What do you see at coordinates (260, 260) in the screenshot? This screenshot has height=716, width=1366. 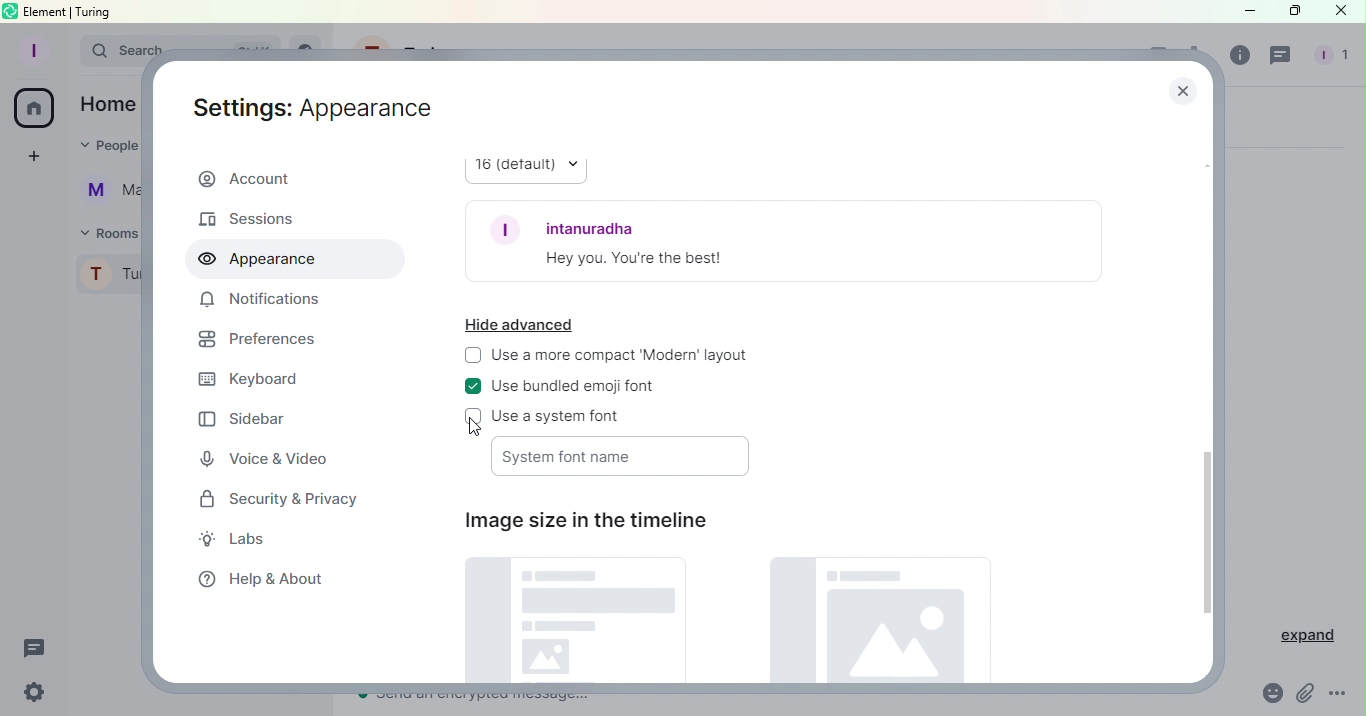 I see `Appearance` at bounding box center [260, 260].